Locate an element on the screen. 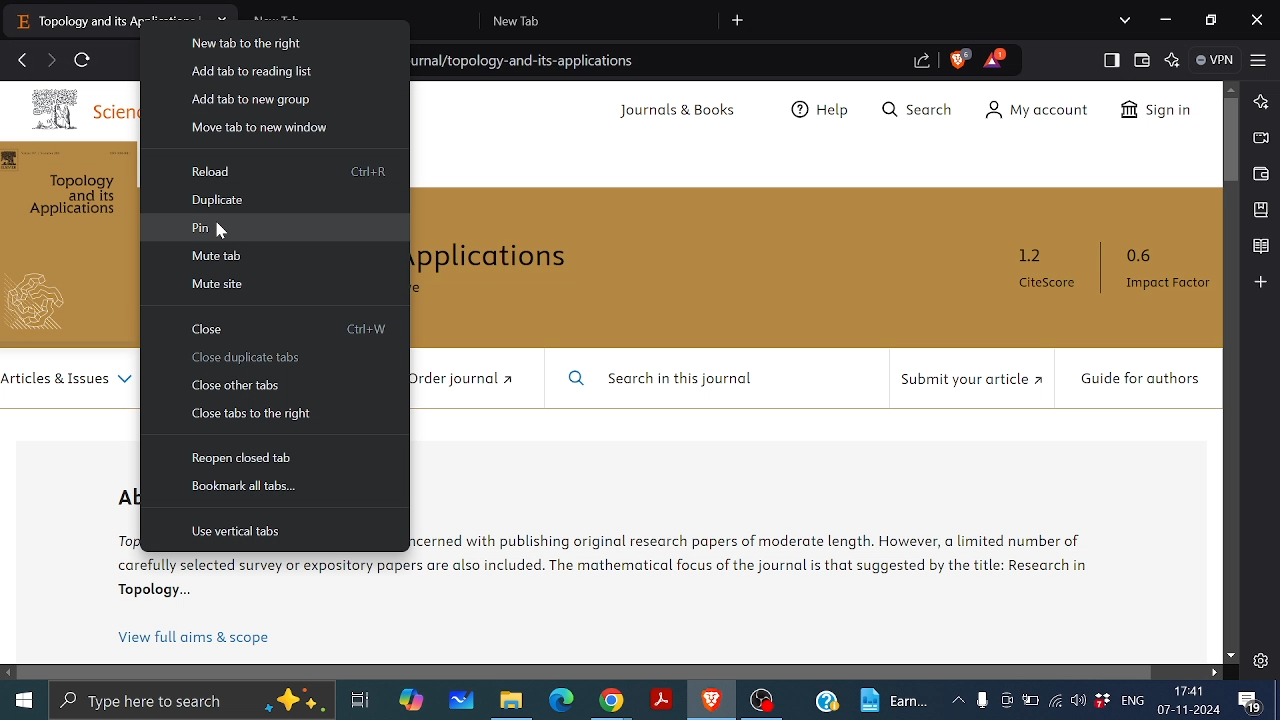 This screenshot has width=1280, height=720. Add a new tab is located at coordinates (739, 20).